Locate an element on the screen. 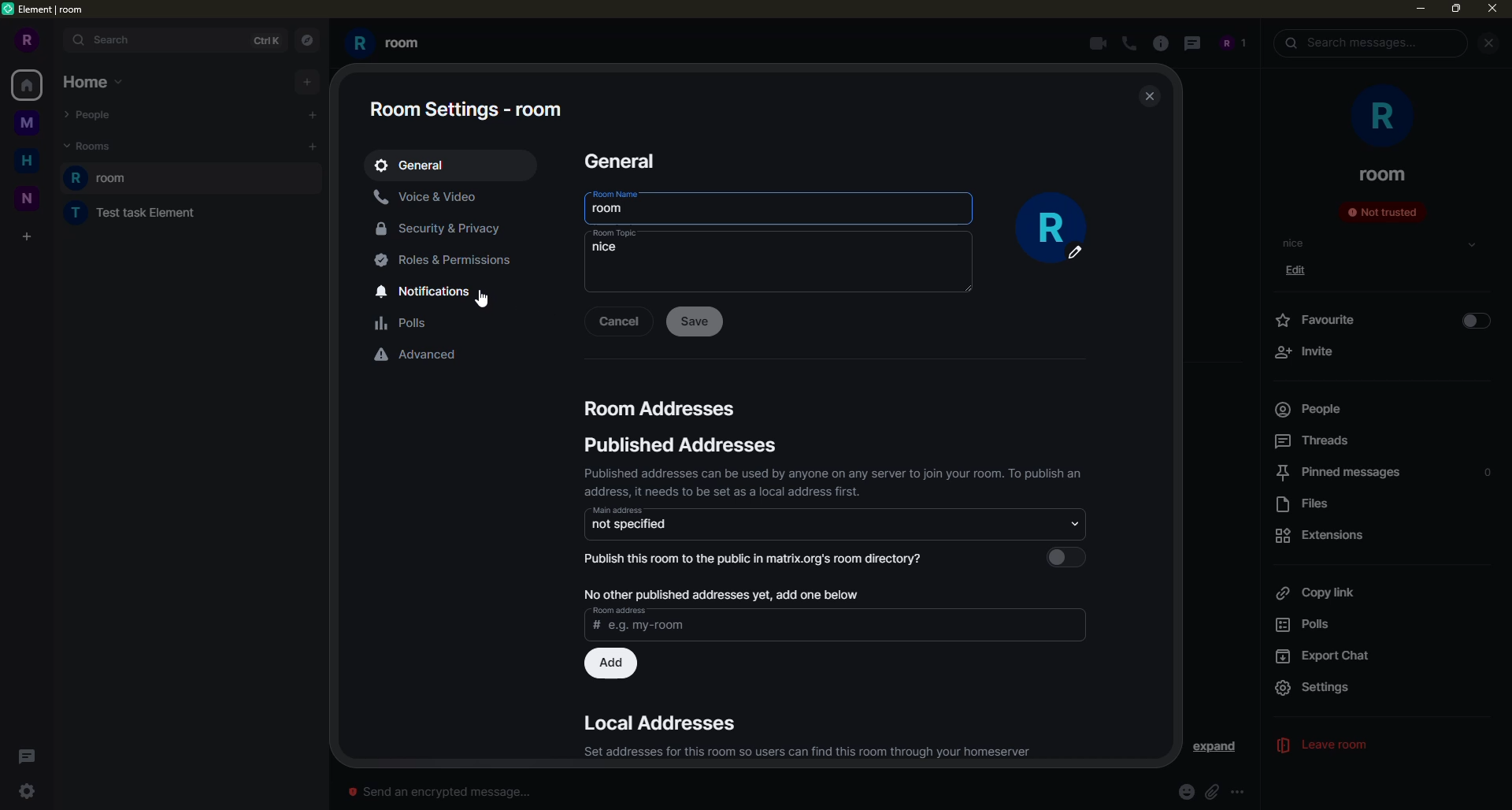 This screenshot has width=1512, height=810. navigation is located at coordinates (306, 38).